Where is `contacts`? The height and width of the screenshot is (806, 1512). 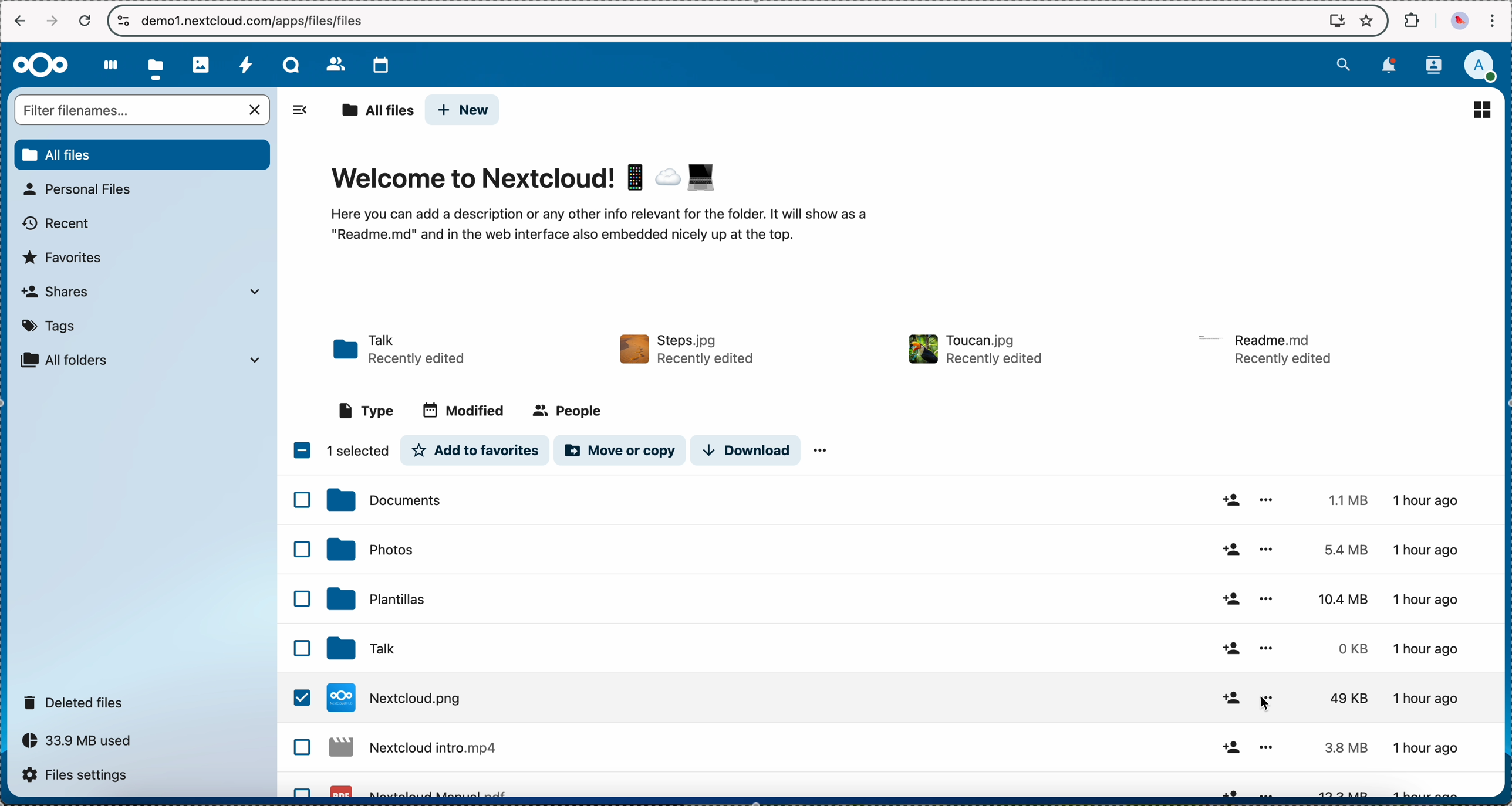
contacts is located at coordinates (328, 61).